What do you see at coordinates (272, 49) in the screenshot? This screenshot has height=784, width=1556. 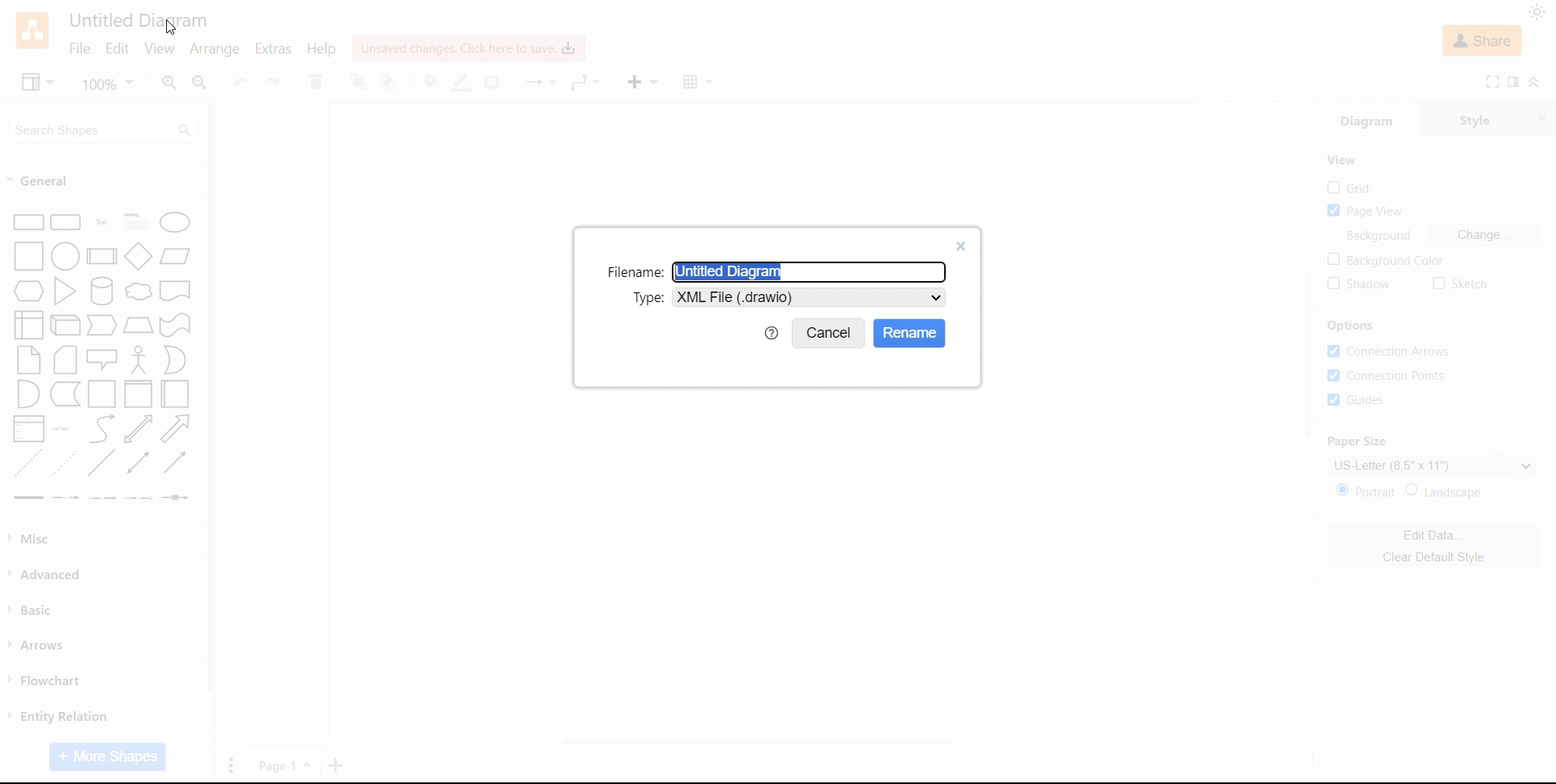 I see `Extras ` at bounding box center [272, 49].